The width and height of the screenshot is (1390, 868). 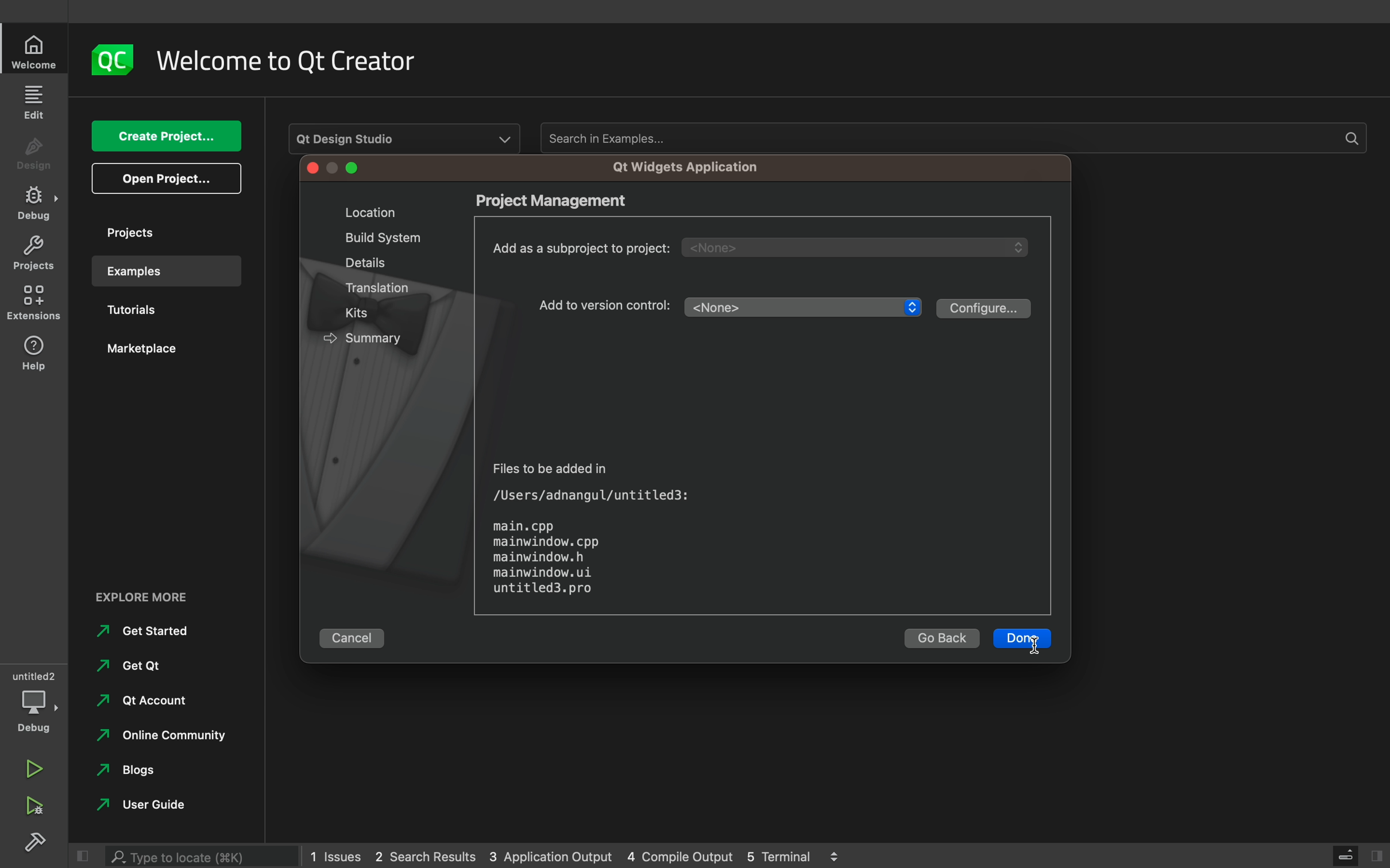 I want to click on logo, so click(x=114, y=60).